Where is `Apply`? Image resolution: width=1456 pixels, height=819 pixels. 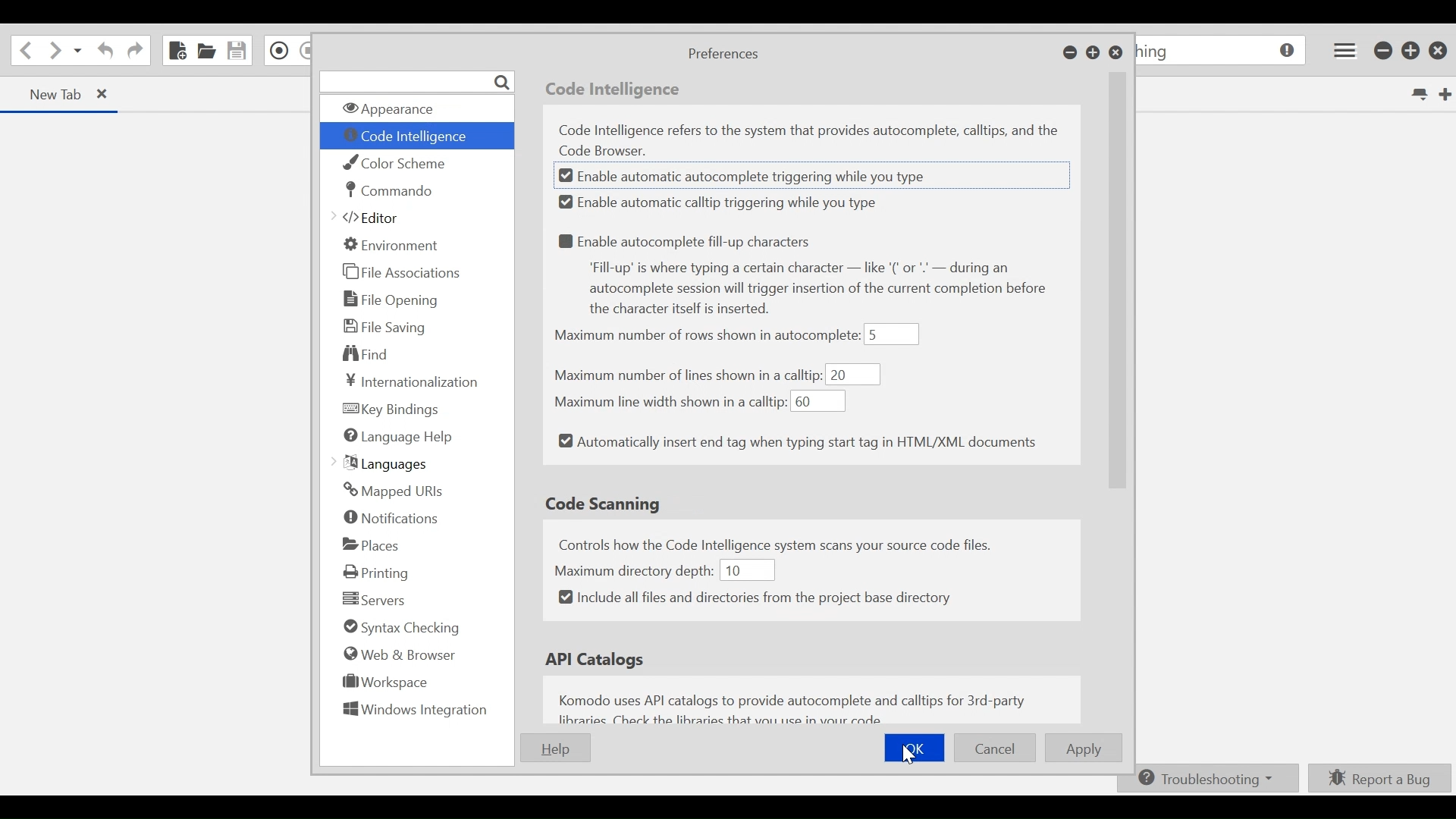
Apply is located at coordinates (1086, 748).